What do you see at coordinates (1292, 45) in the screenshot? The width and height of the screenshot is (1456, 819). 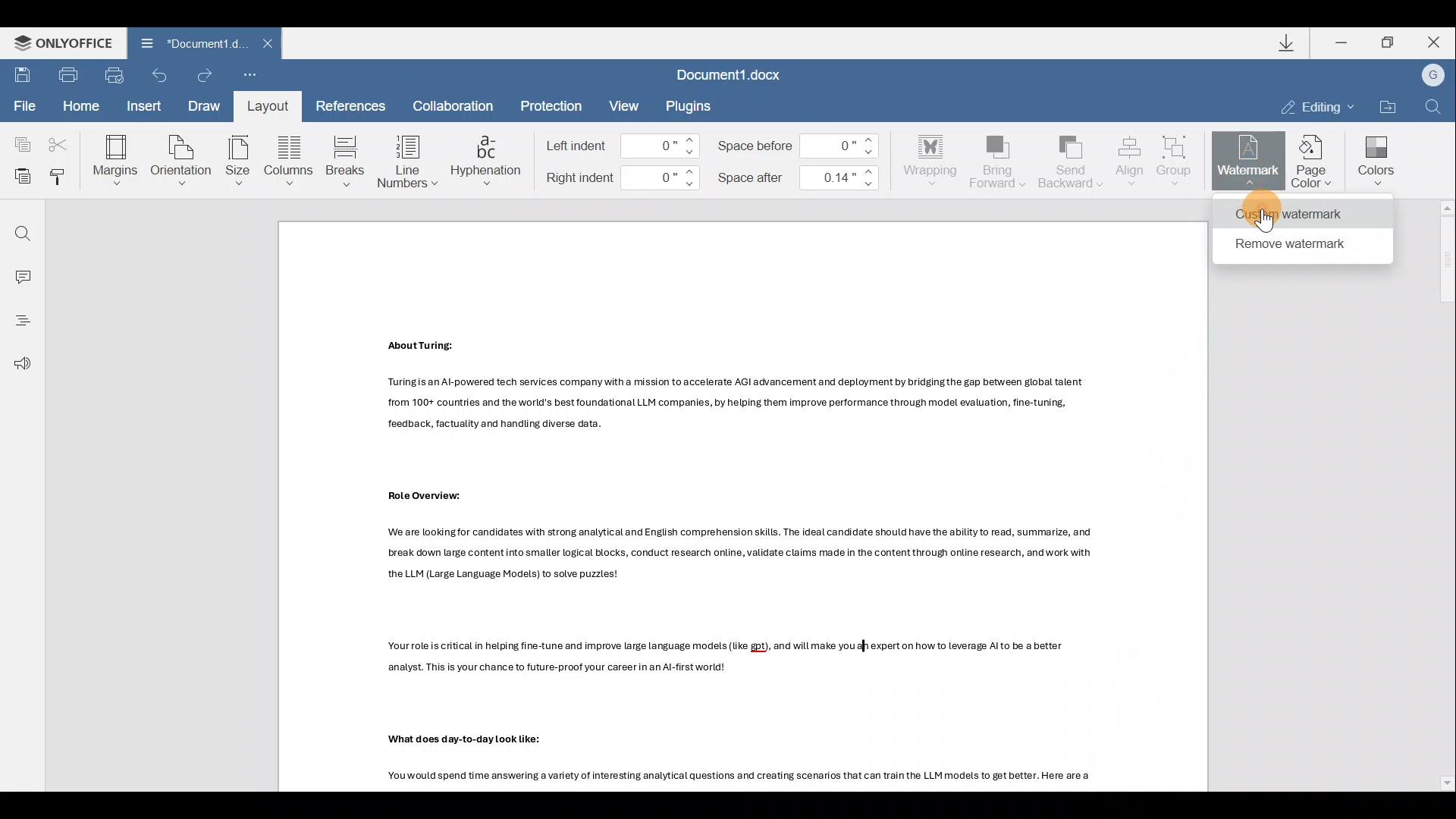 I see `Downloads` at bounding box center [1292, 45].